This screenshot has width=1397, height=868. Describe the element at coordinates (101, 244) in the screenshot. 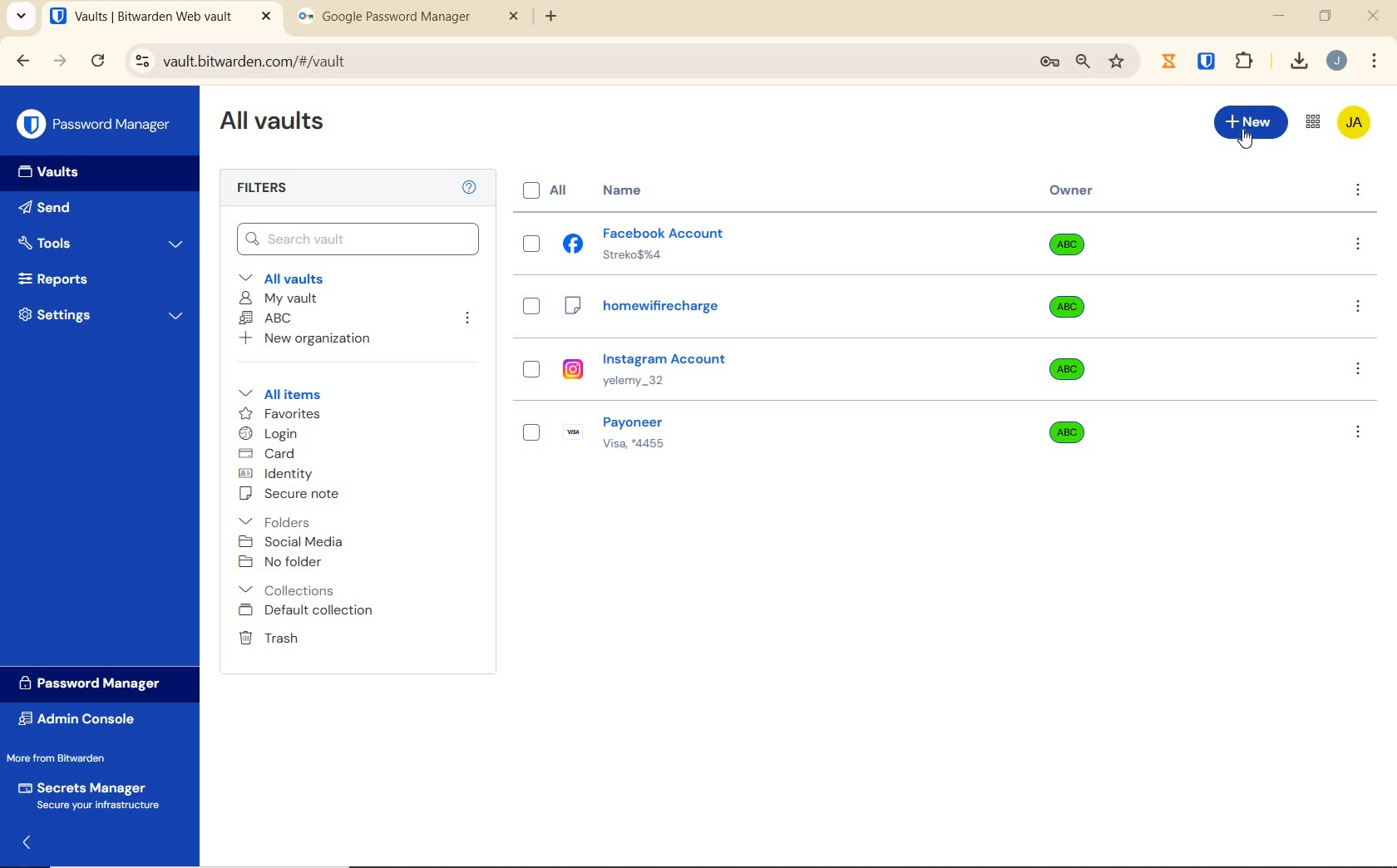

I see `Tools` at that location.